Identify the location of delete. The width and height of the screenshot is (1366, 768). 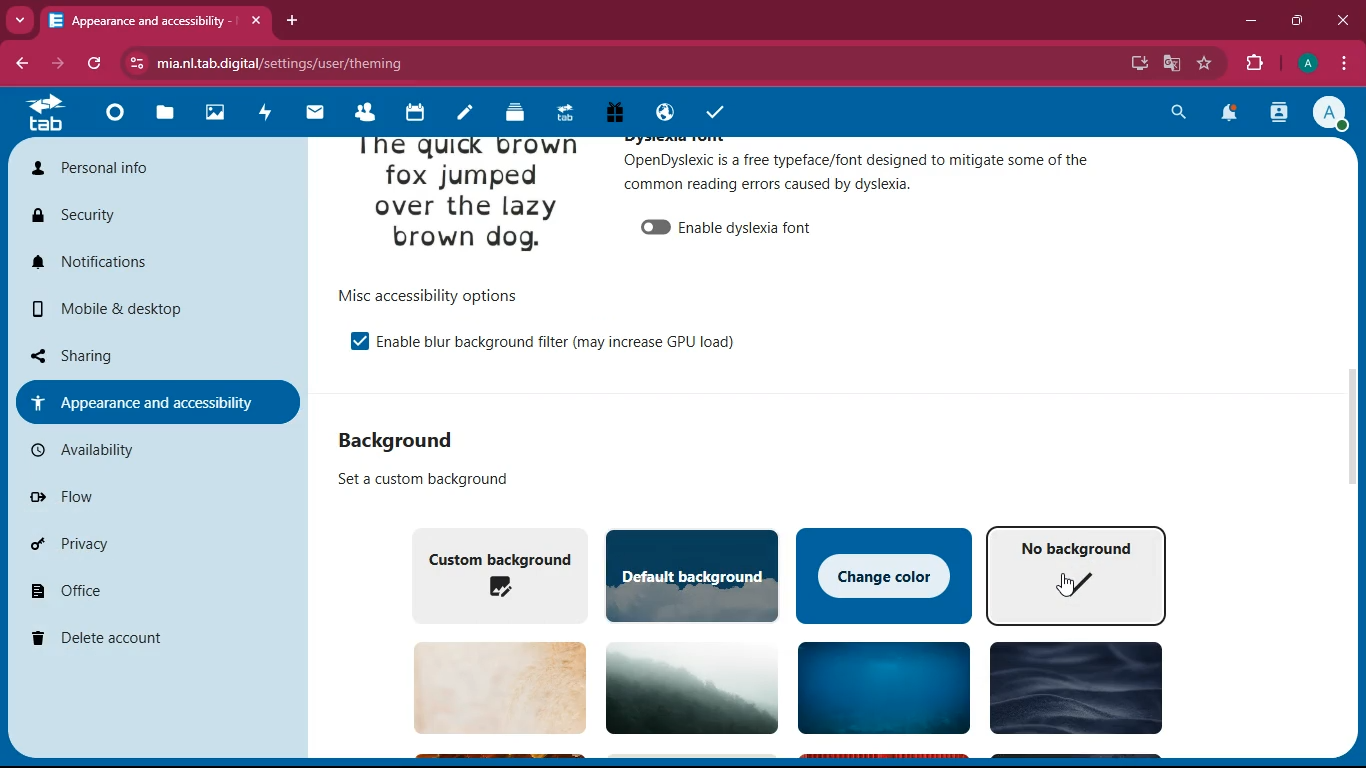
(145, 639).